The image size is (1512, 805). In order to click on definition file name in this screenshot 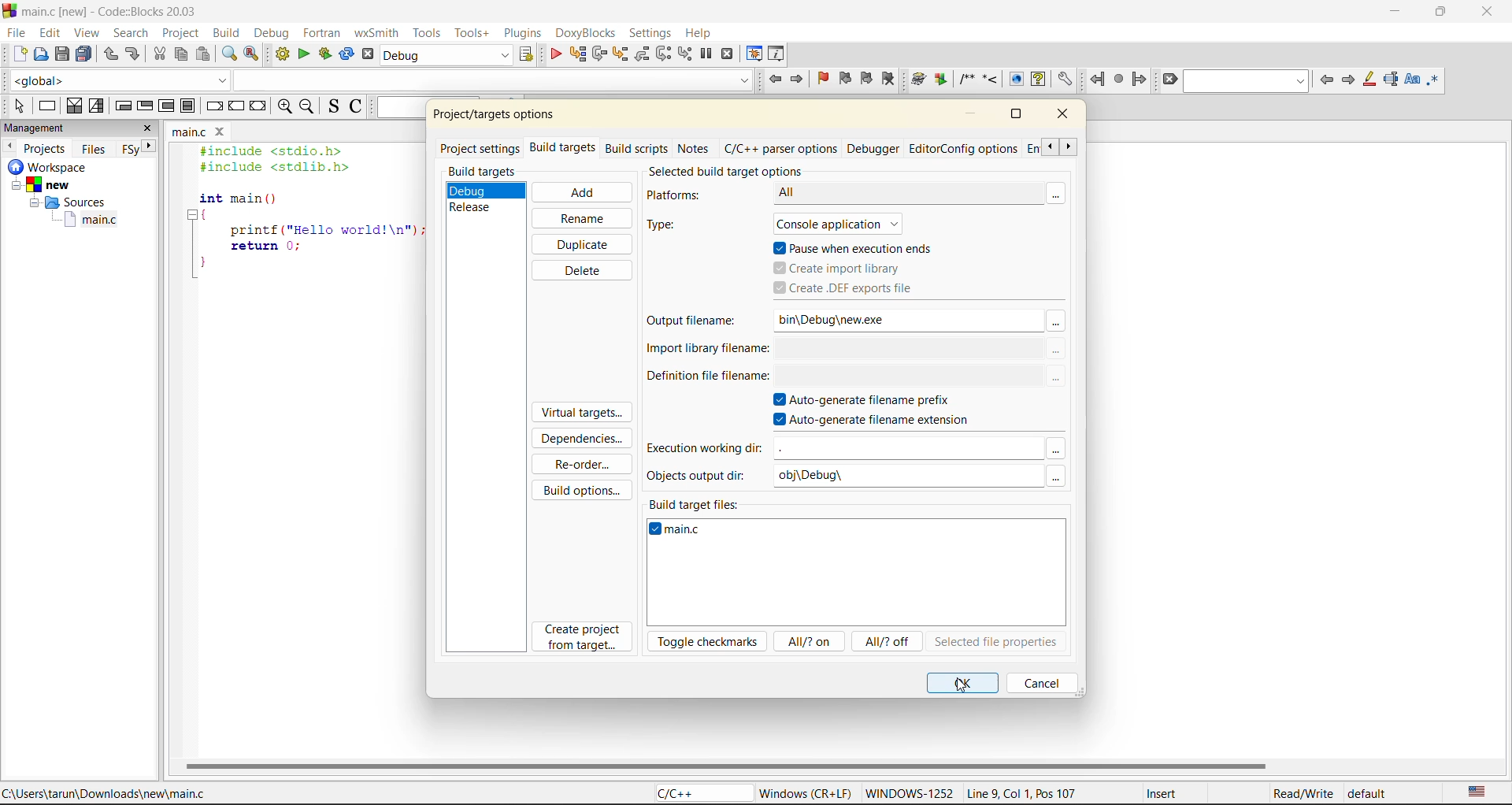, I will do `click(703, 380)`.